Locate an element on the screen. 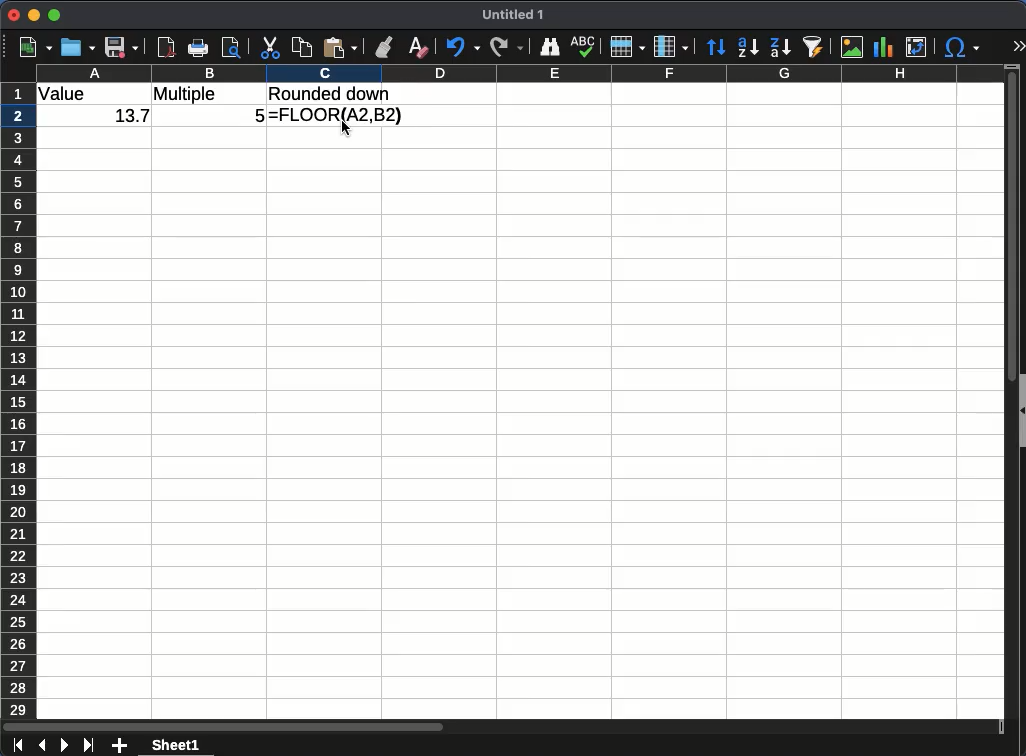 The height and width of the screenshot is (756, 1026). cursor is located at coordinates (346, 127).